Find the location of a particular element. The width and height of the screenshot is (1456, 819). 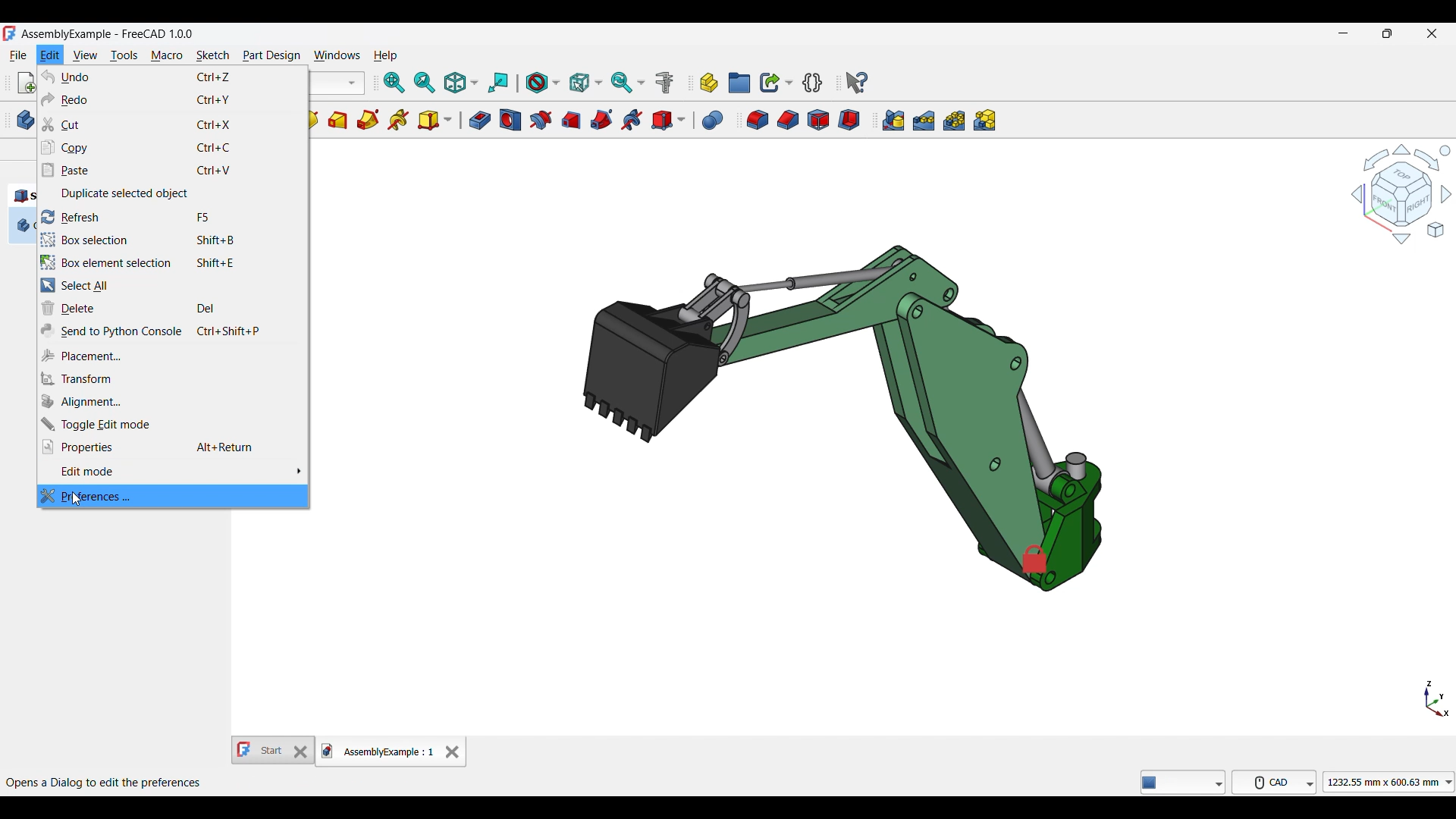

Delete is located at coordinates (173, 309).